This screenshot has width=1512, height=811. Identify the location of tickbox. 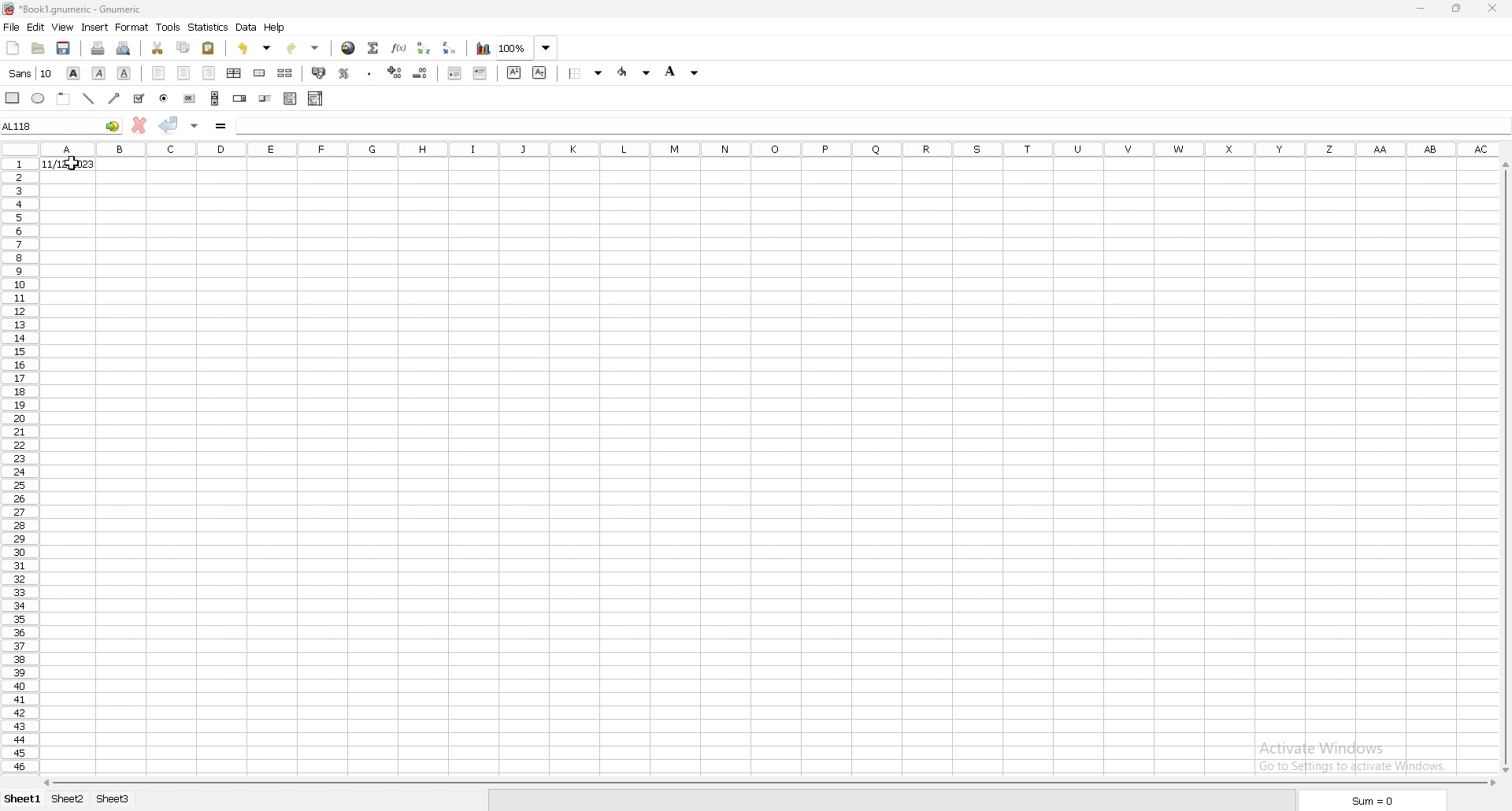
(140, 98).